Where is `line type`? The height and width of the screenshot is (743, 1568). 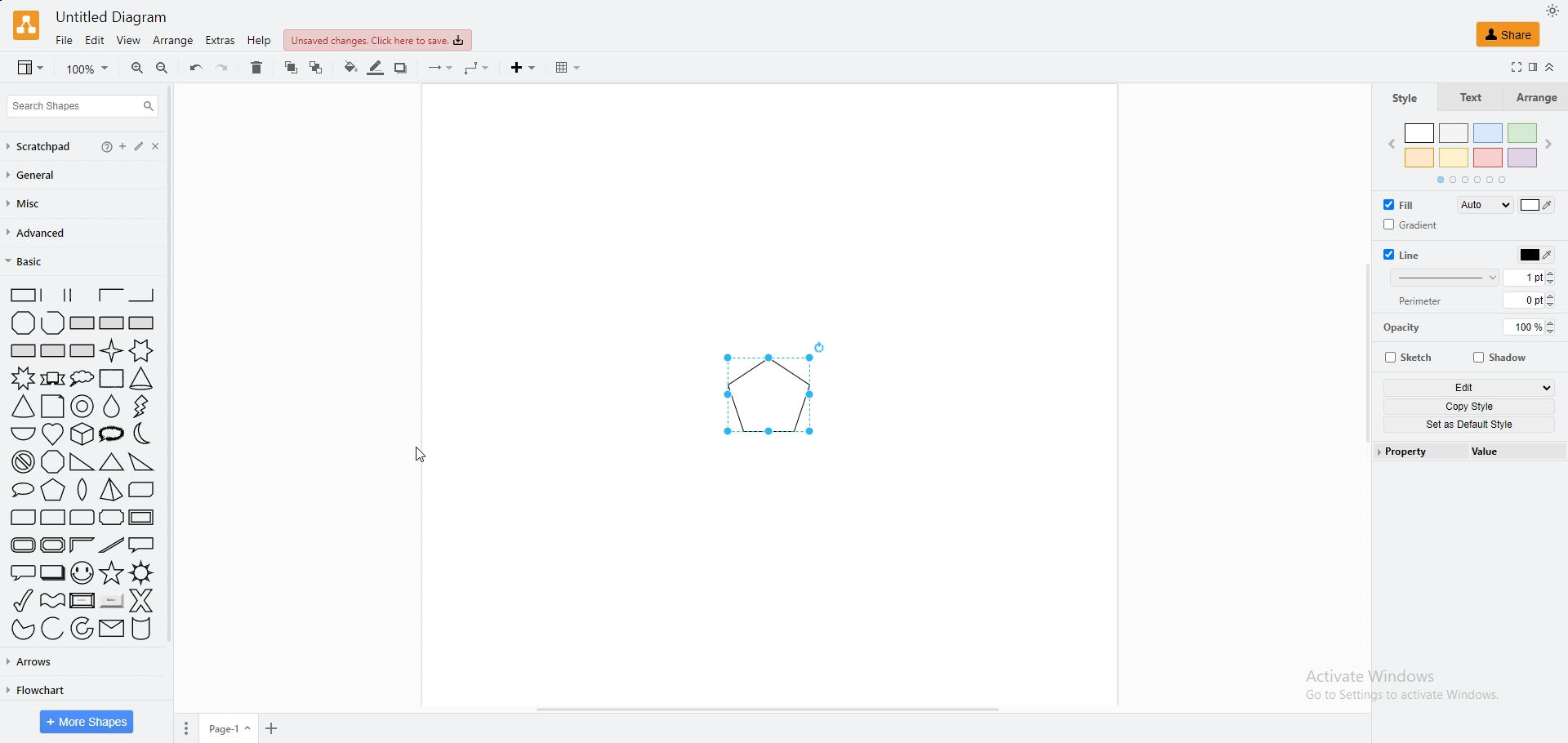
line type is located at coordinates (1443, 278).